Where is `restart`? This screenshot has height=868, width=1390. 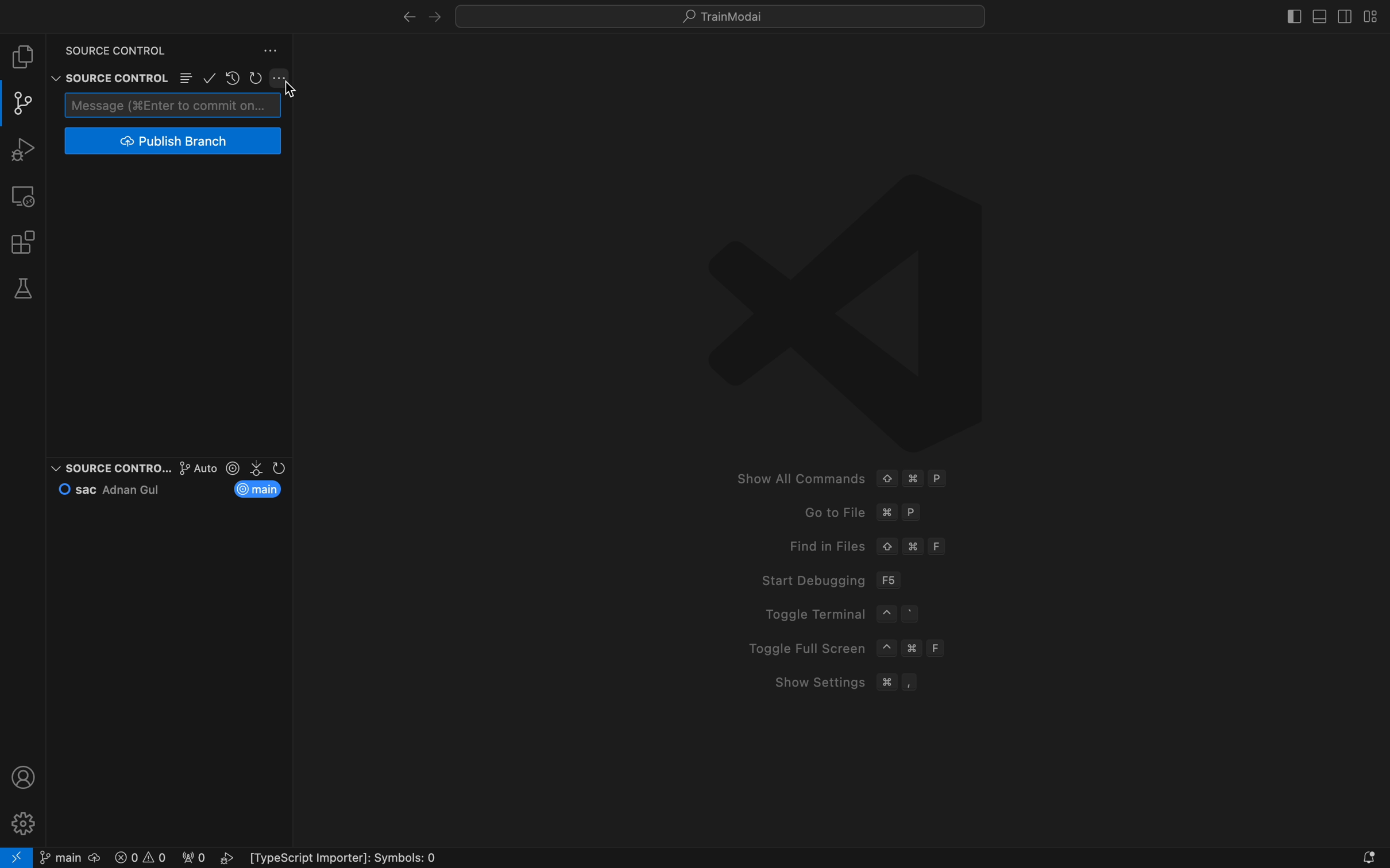 restart is located at coordinates (257, 76).